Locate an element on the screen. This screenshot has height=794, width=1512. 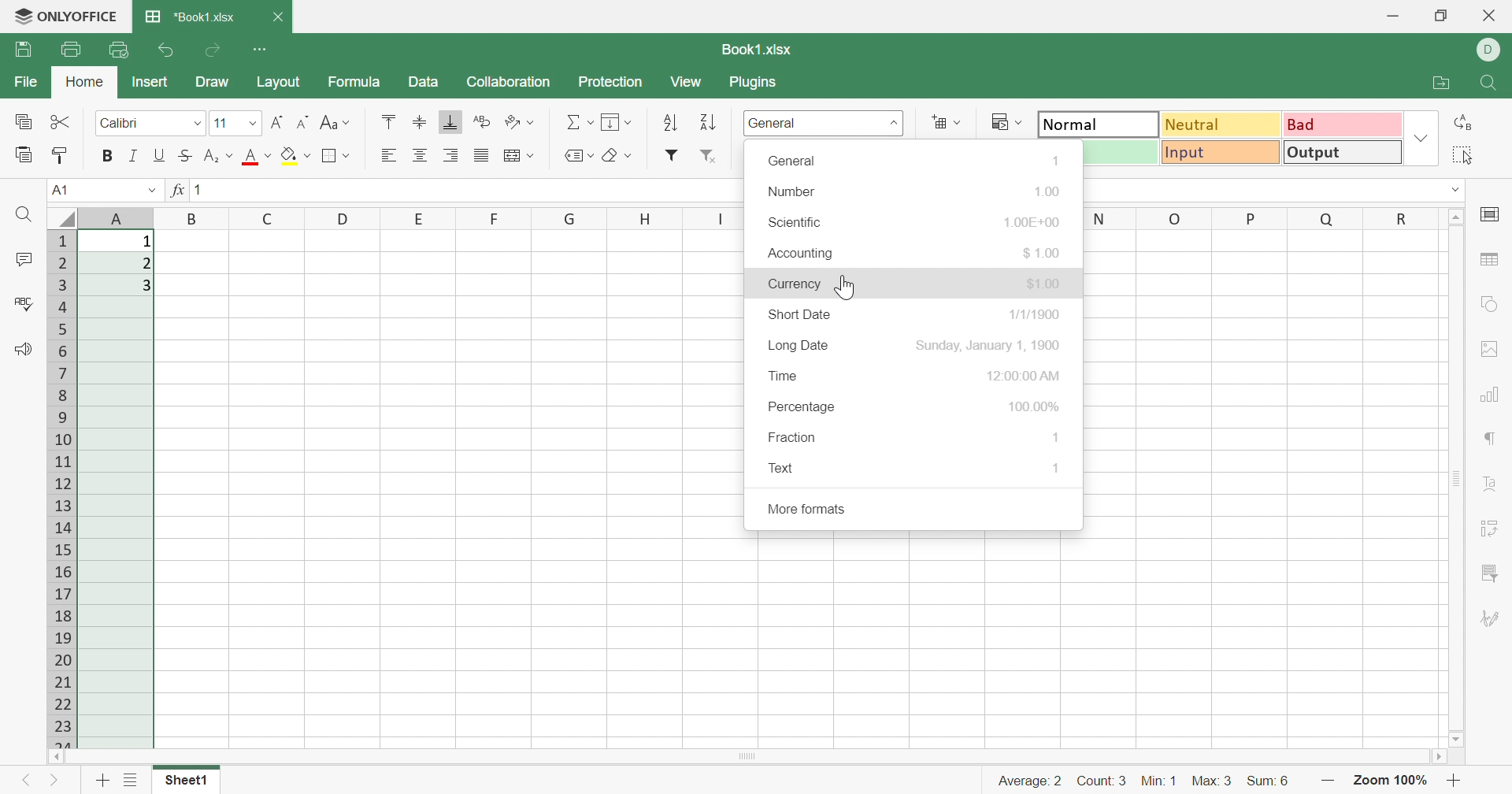
Fraction is located at coordinates (792, 439).